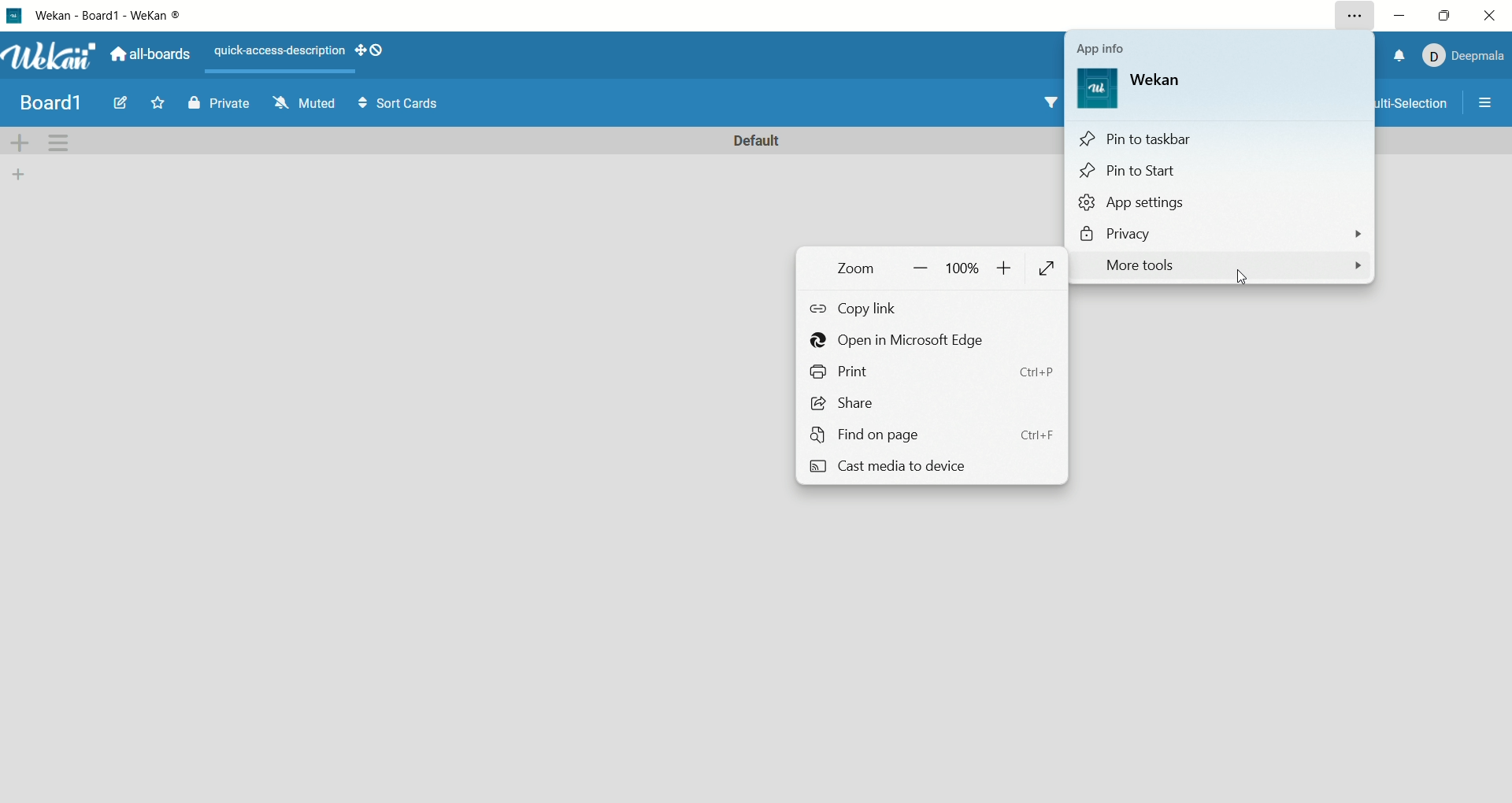 The width and height of the screenshot is (1512, 803). Describe the element at coordinates (1165, 80) in the screenshot. I see `wekan` at that location.